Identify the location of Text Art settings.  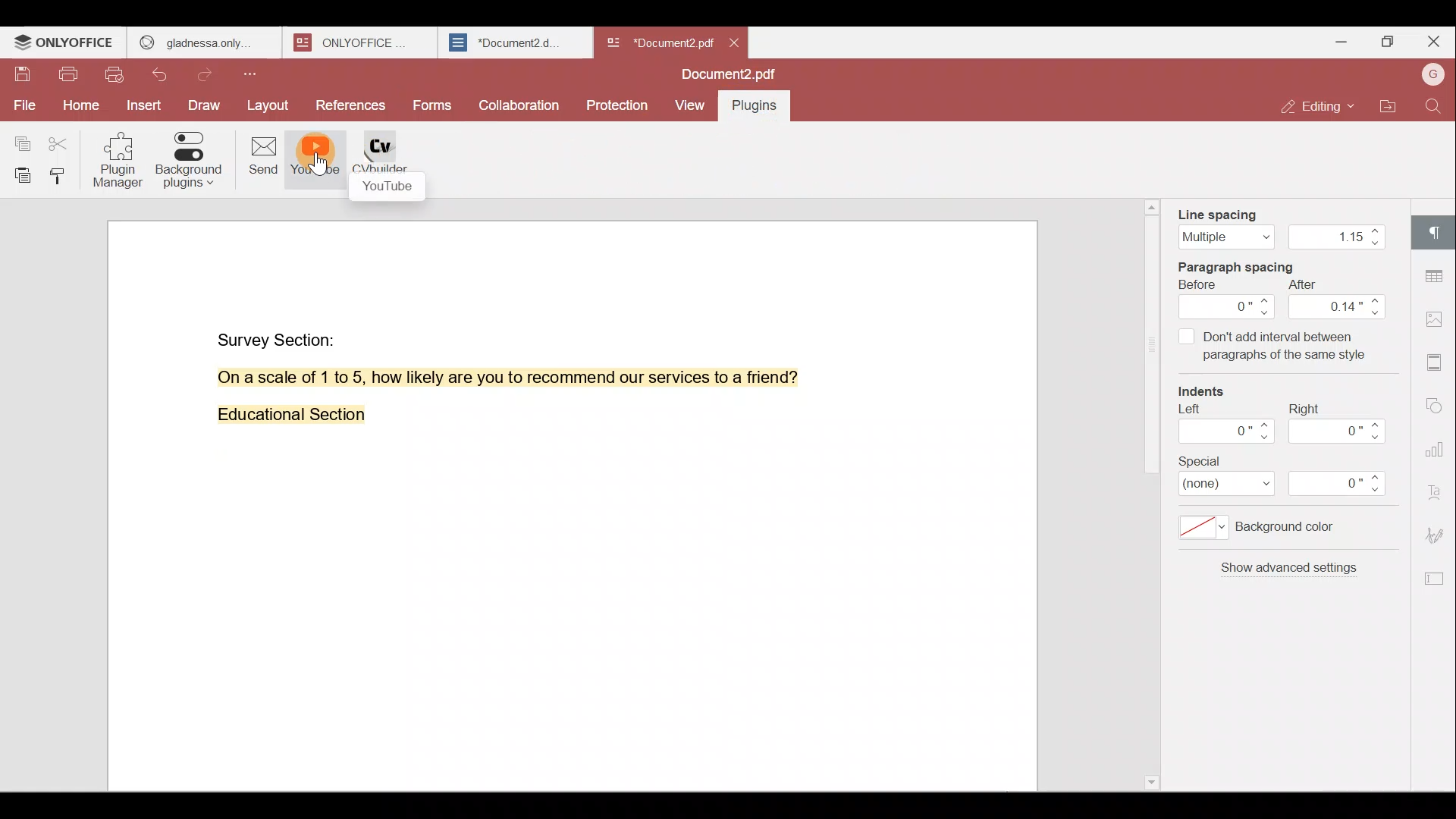
(1437, 488).